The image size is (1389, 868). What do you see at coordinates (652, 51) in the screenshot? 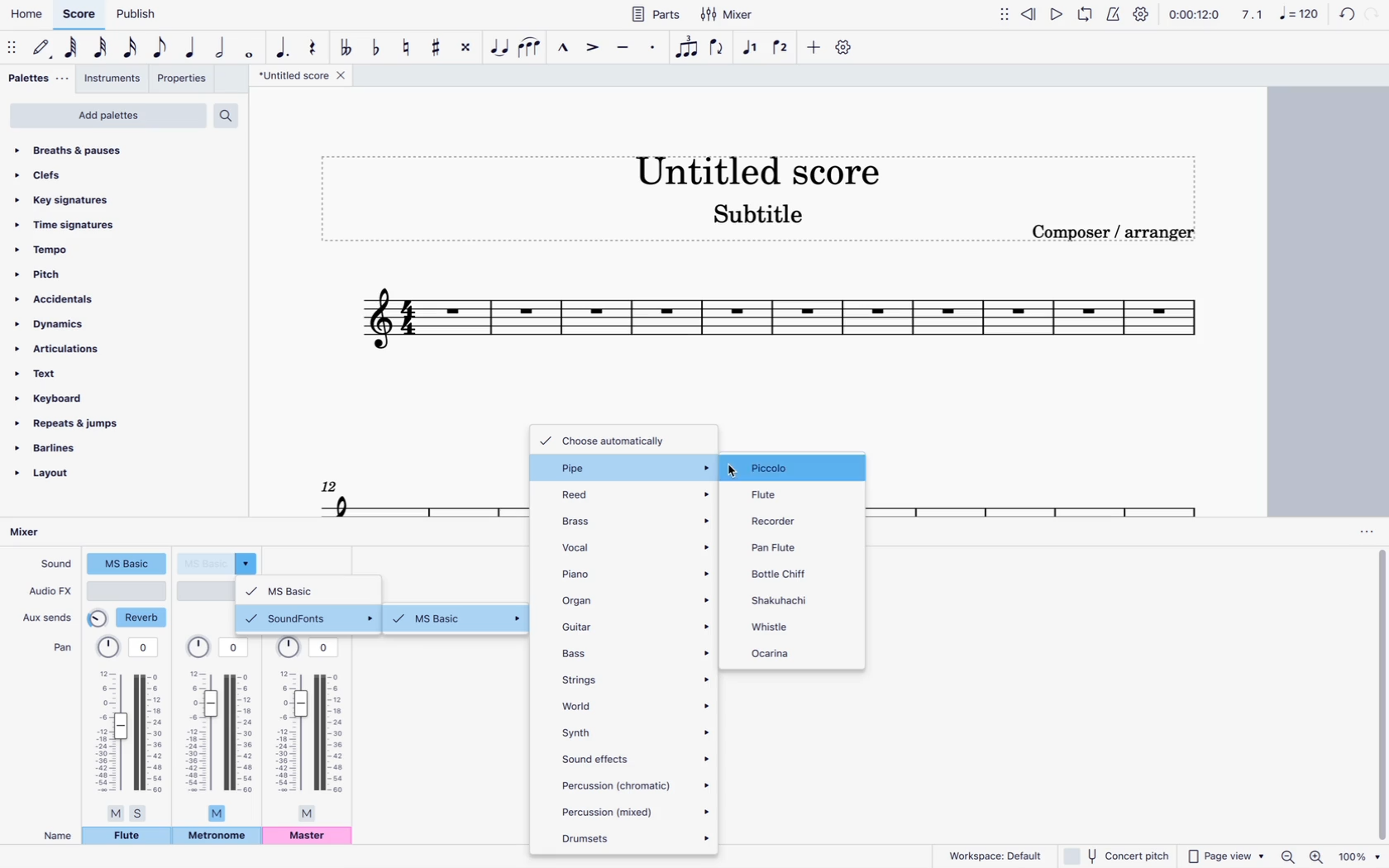
I see `staccato` at bounding box center [652, 51].